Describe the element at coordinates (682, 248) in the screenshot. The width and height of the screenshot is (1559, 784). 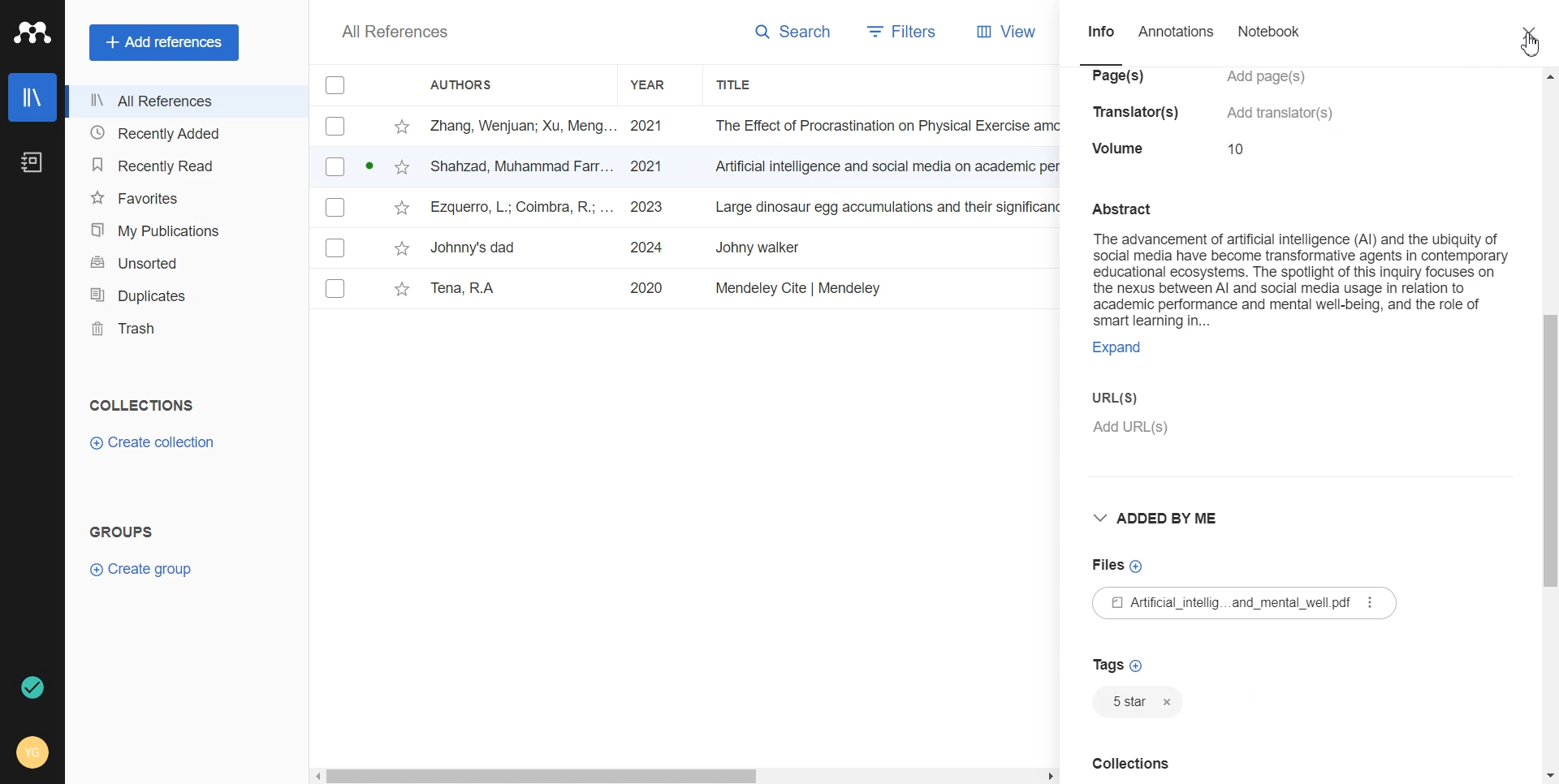
I see `File` at that location.